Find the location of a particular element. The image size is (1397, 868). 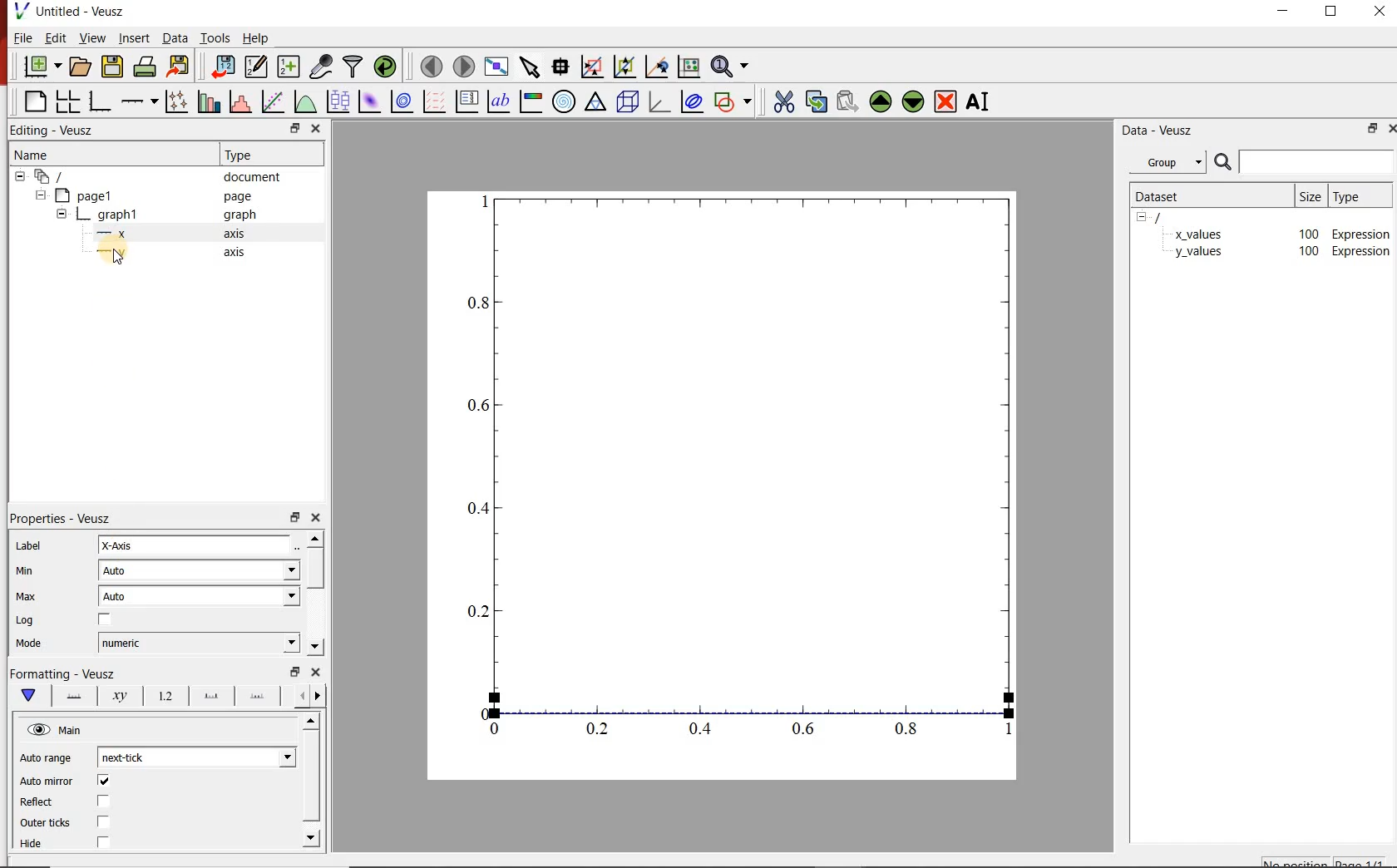

fit a function to a data is located at coordinates (273, 101).